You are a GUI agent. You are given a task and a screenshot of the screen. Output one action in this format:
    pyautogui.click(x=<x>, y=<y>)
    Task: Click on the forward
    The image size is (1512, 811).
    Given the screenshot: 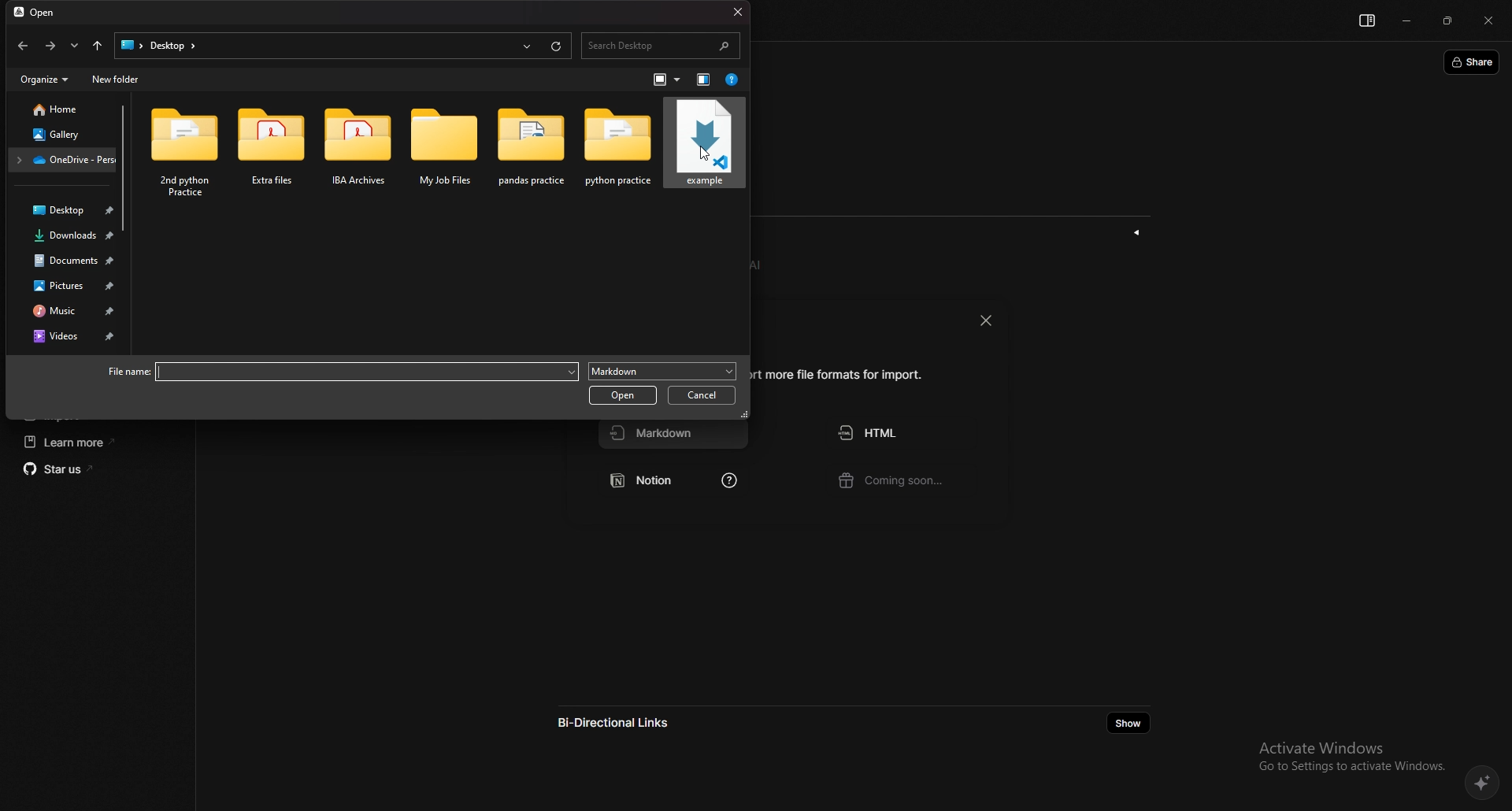 What is the action you would take?
    pyautogui.click(x=50, y=46)
    